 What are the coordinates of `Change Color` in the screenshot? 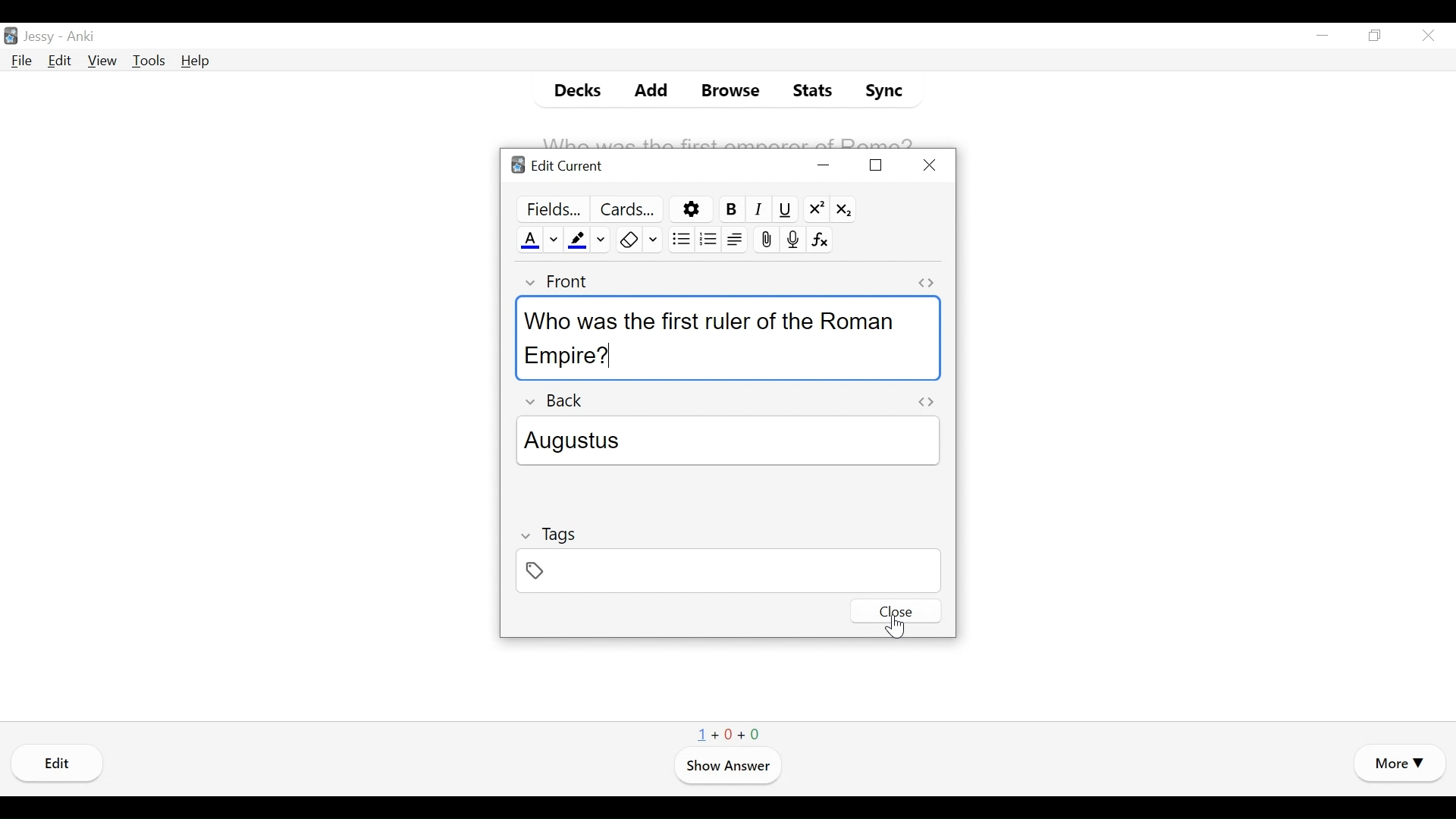 It's located at (554, 238).